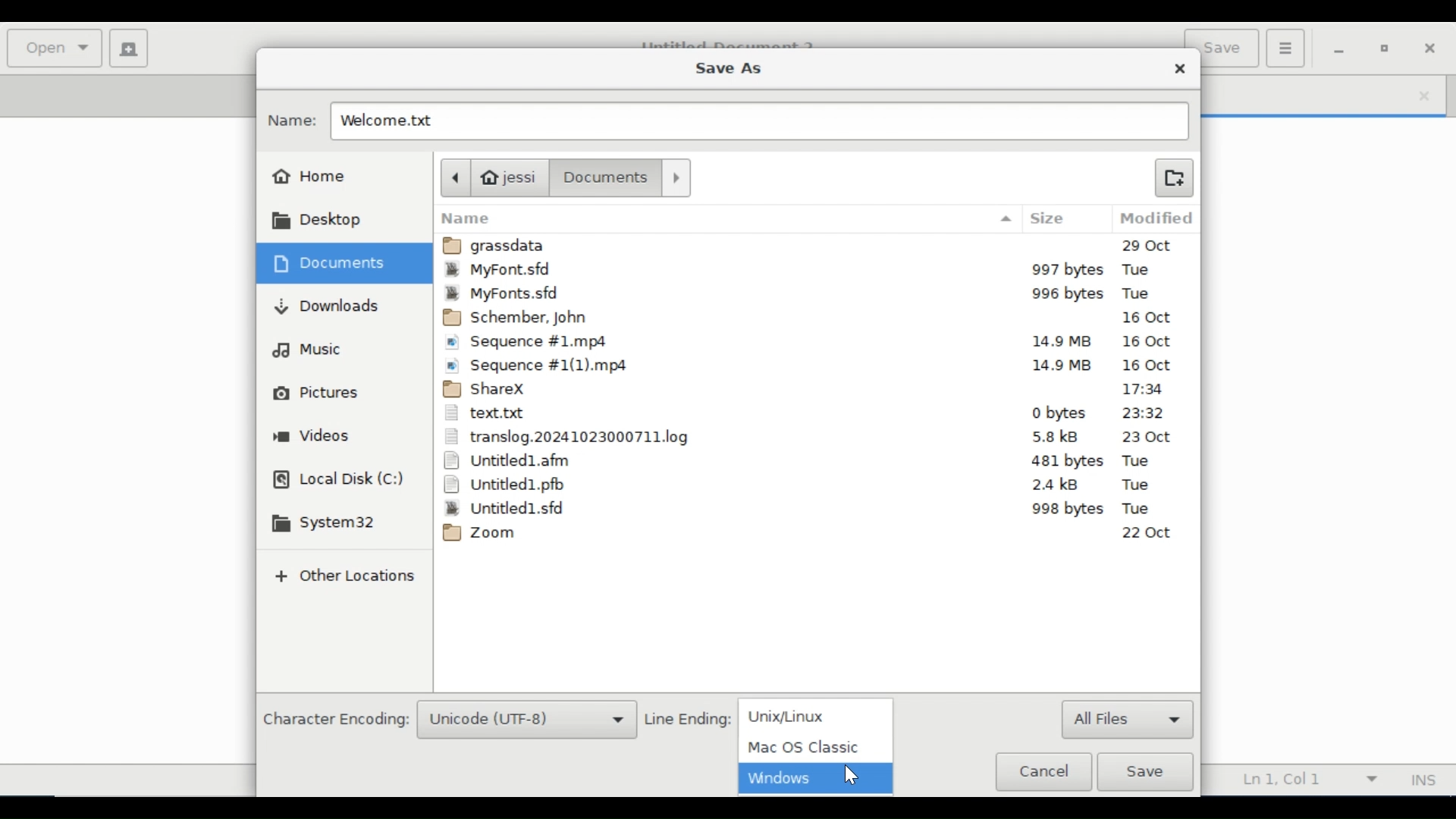 The image size is (1456, 819). Describe the element at coordinates (322, 523) in the screenshot. I see `System 32` at that location.